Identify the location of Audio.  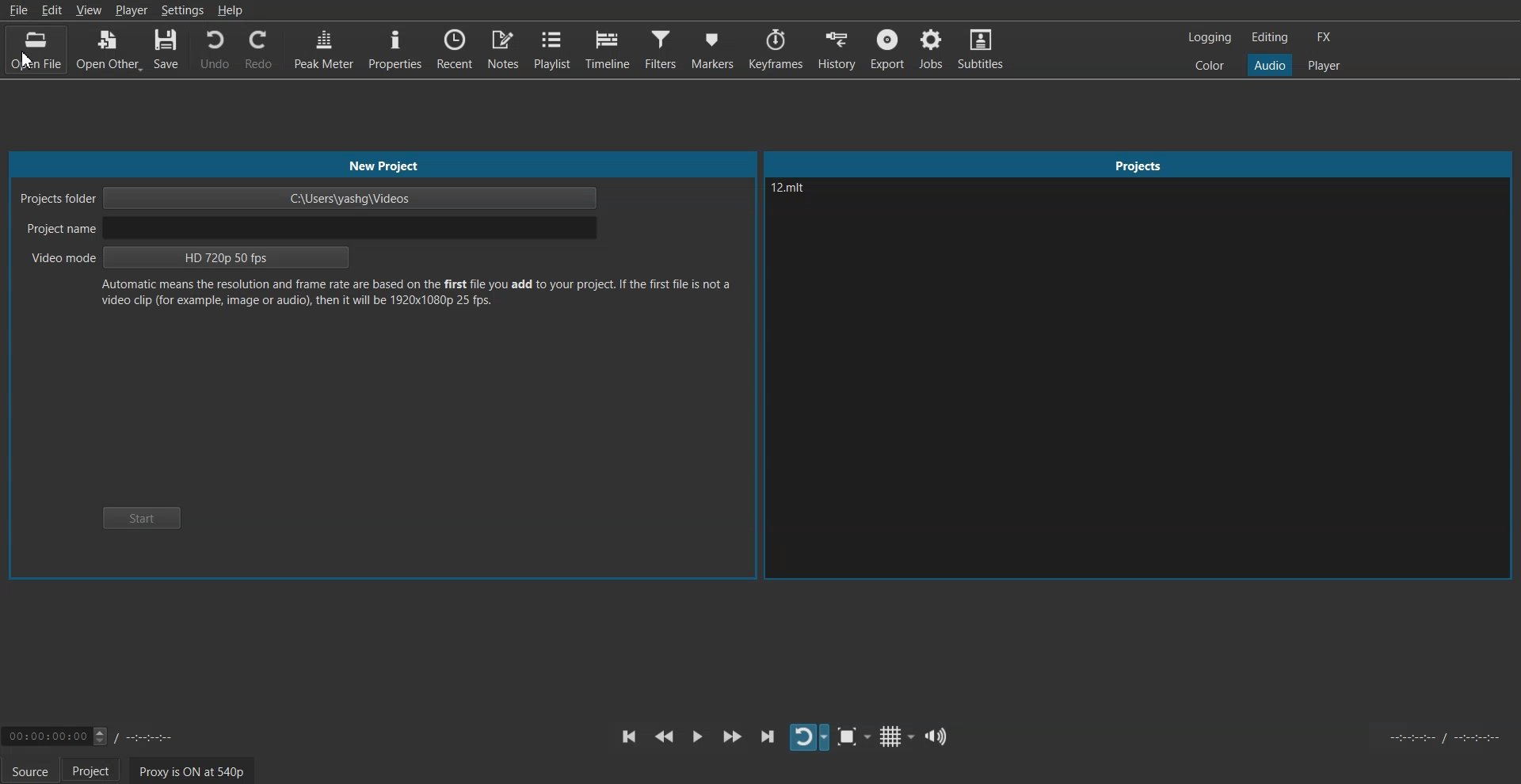
(1269, 64).